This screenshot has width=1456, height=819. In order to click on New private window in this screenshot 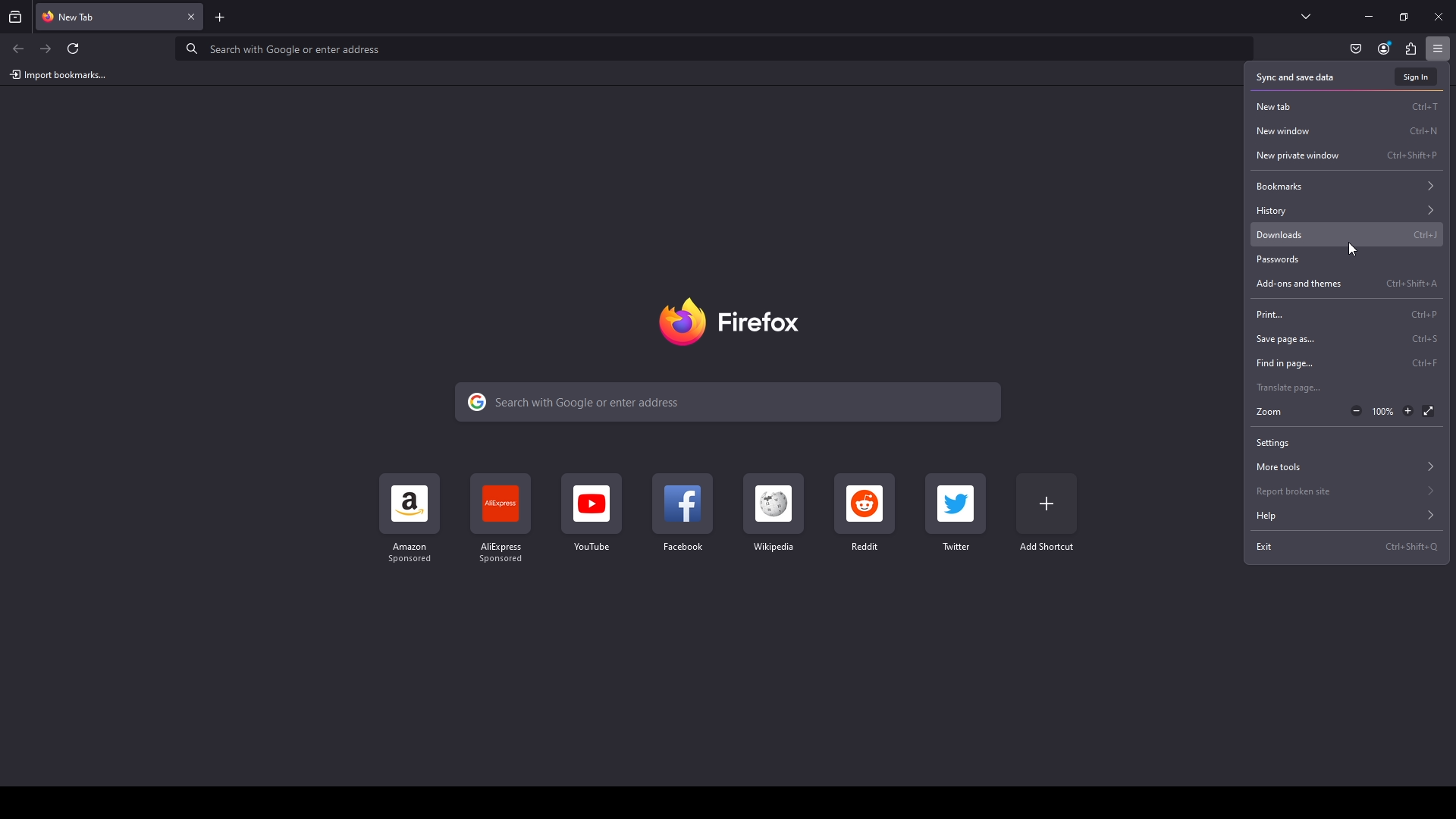, I will do `click(1348, 156)`.